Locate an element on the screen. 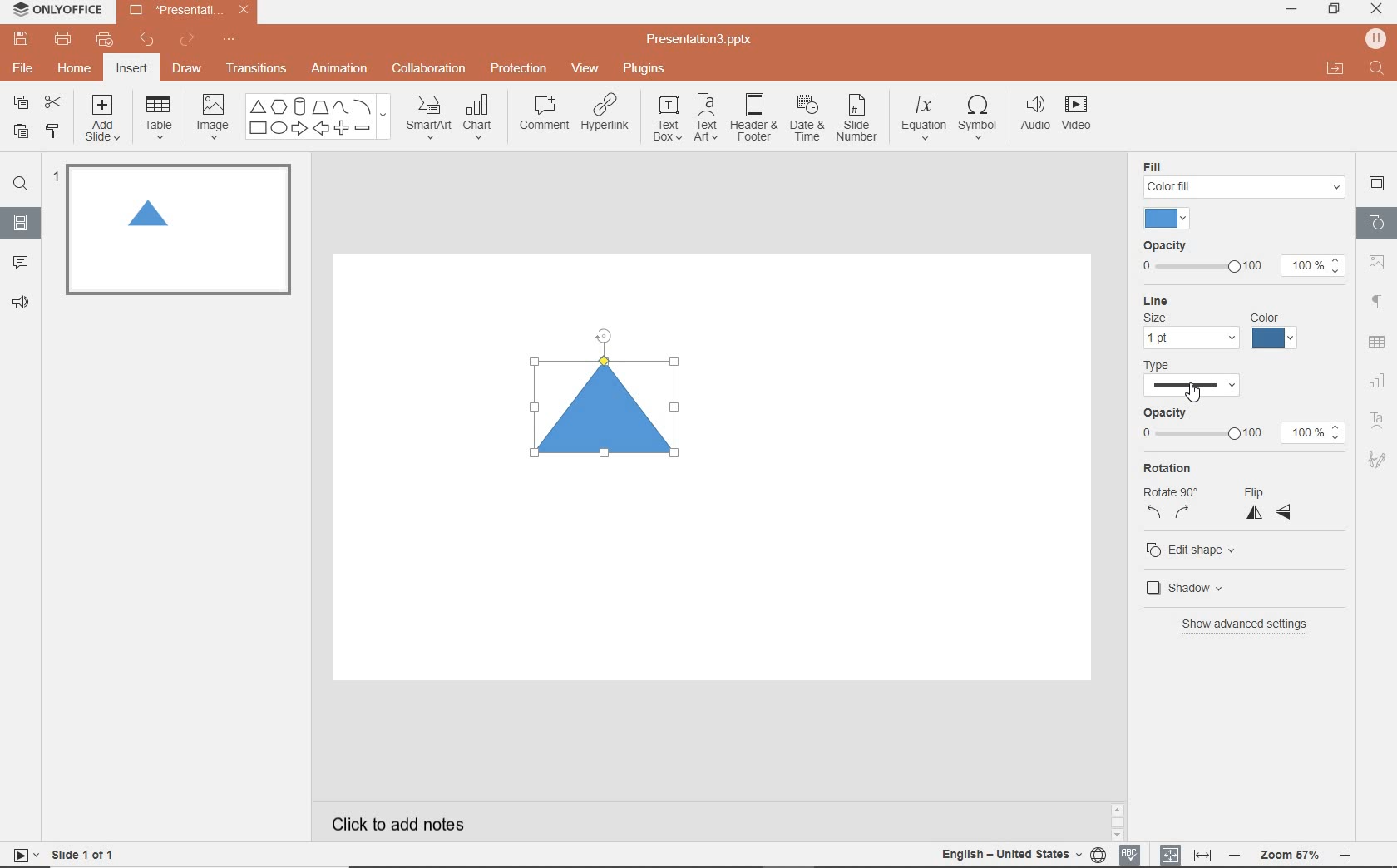 The width and height of the screenshot is (1397, 868). fill color is located at coordinates (1170, 219).